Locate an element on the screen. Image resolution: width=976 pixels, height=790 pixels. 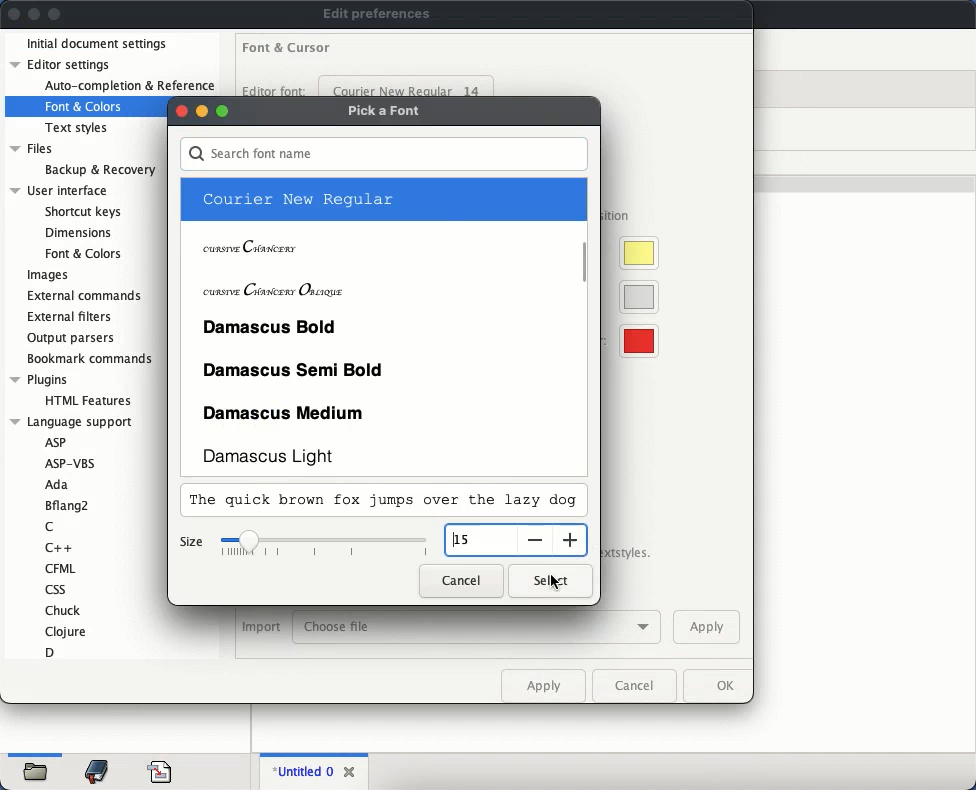
language support is located at coordinates (71, 422).